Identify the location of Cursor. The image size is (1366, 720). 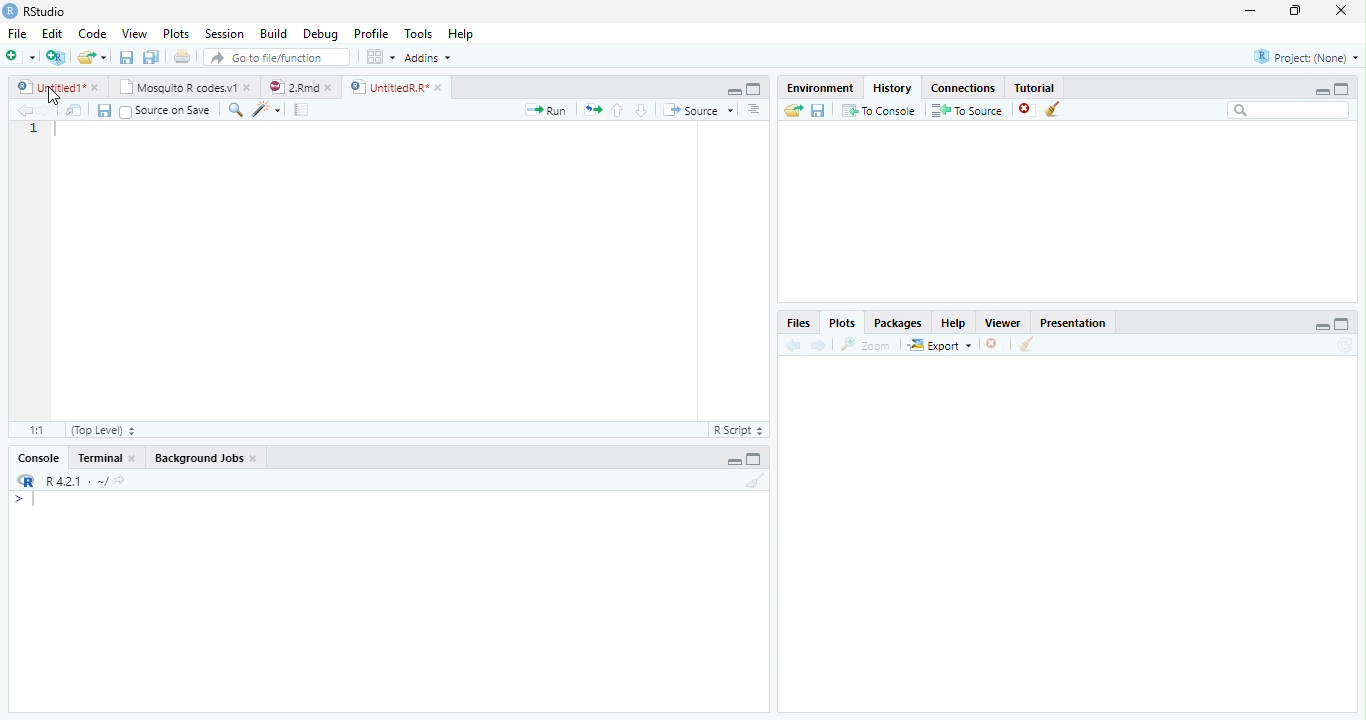
(51, 96).